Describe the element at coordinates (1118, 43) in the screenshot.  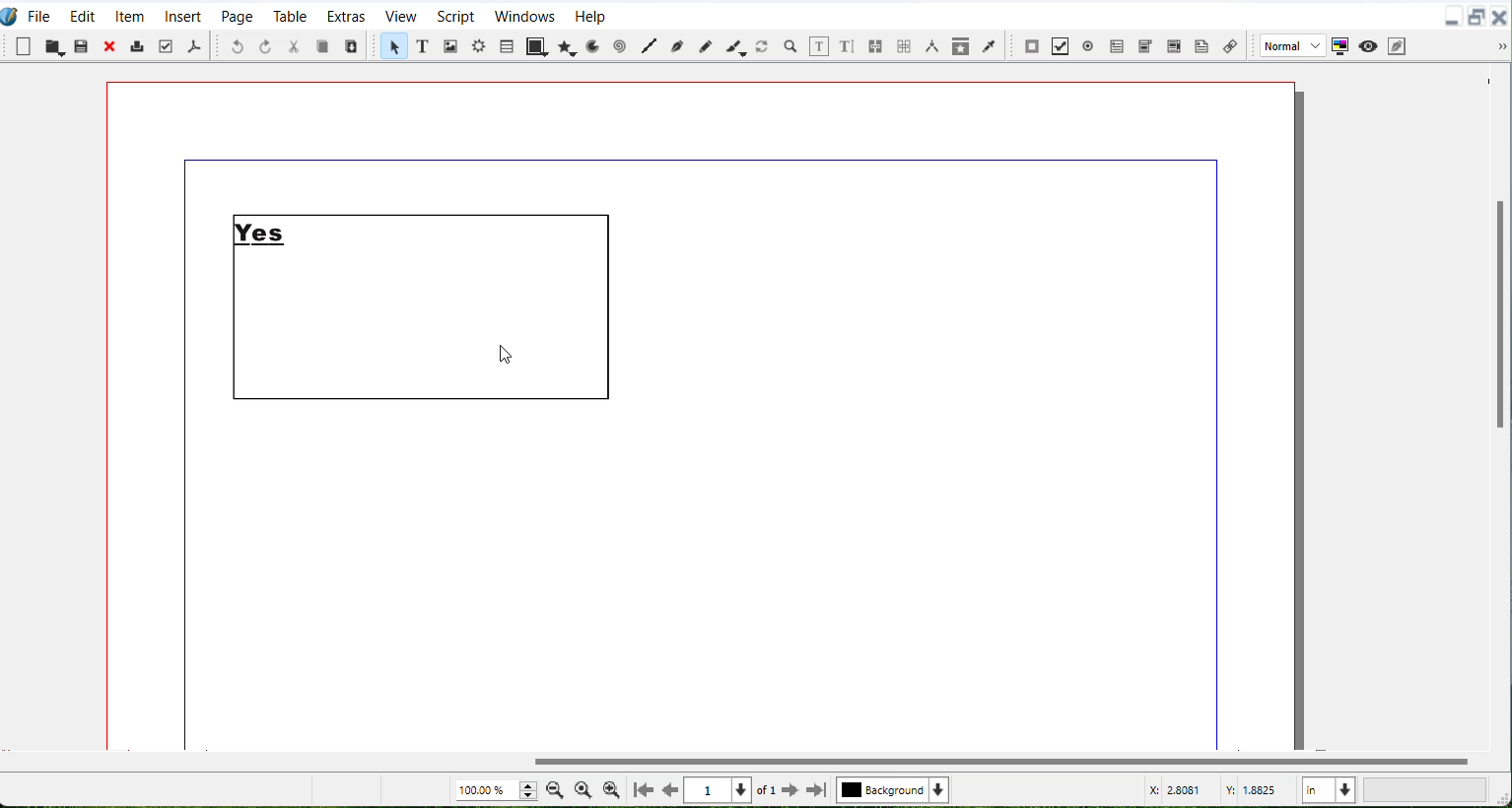
I see `PDF Text Field` at that location.